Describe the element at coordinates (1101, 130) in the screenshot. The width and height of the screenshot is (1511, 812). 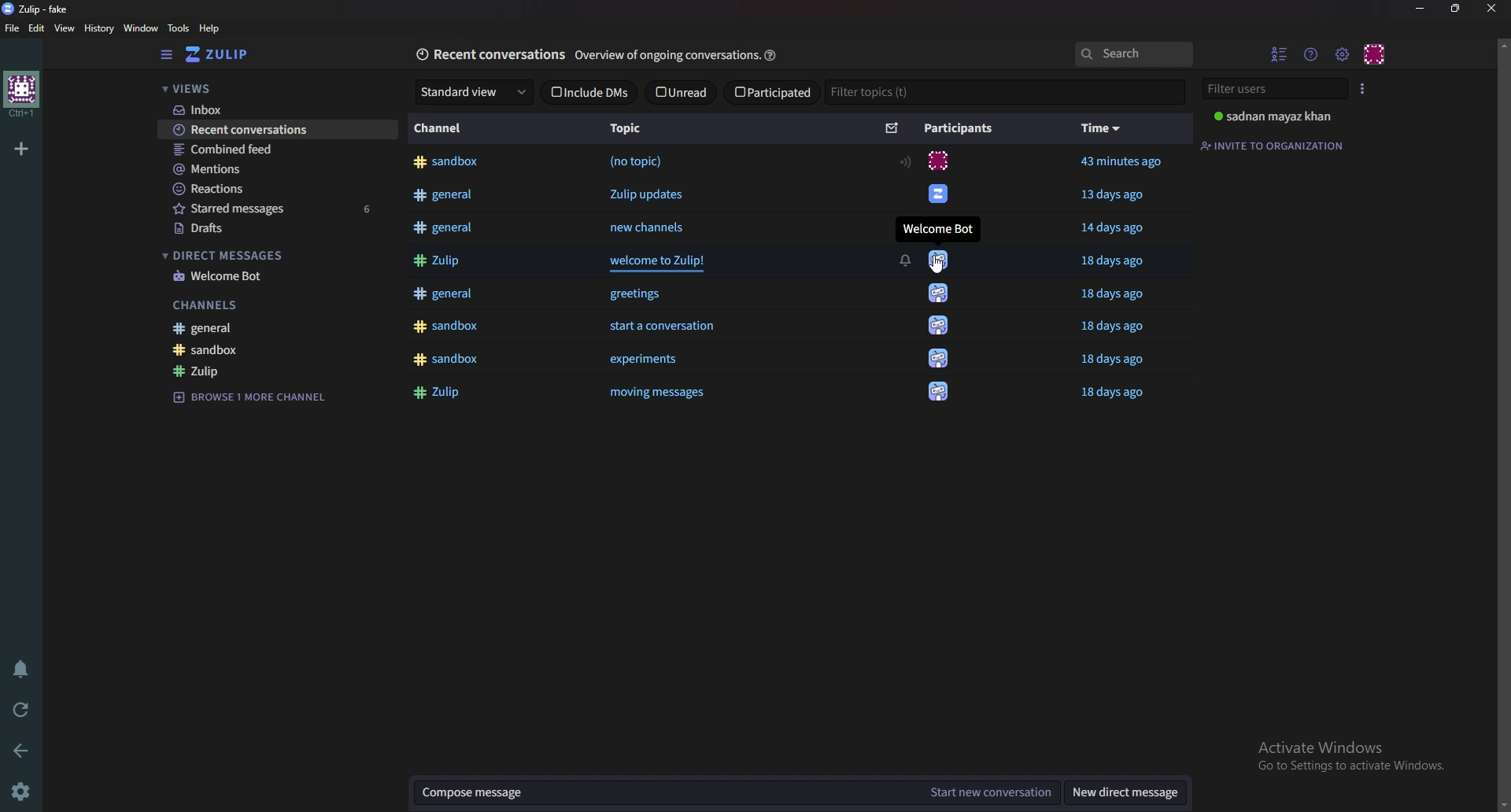
I see `time` at that location.